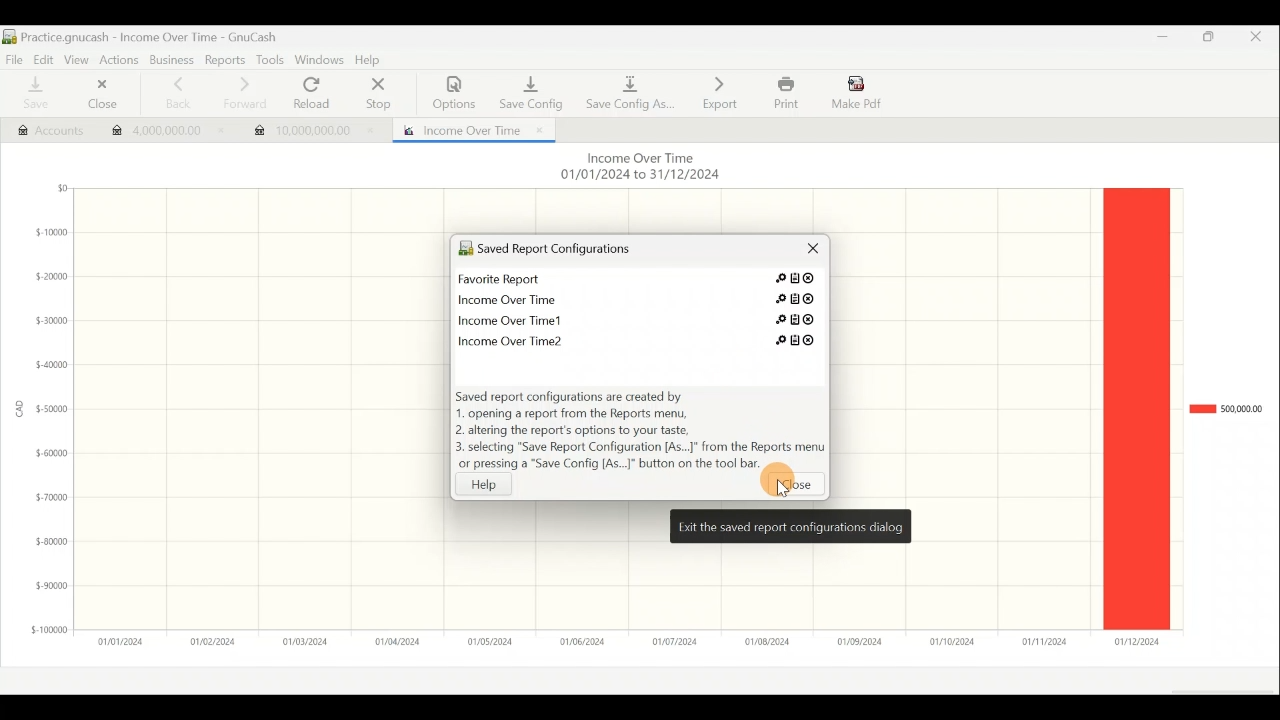  What do you see at coordinates (858, 91) in the screenshot?
I see `Make Pdf` at bounding box center [858, 91].